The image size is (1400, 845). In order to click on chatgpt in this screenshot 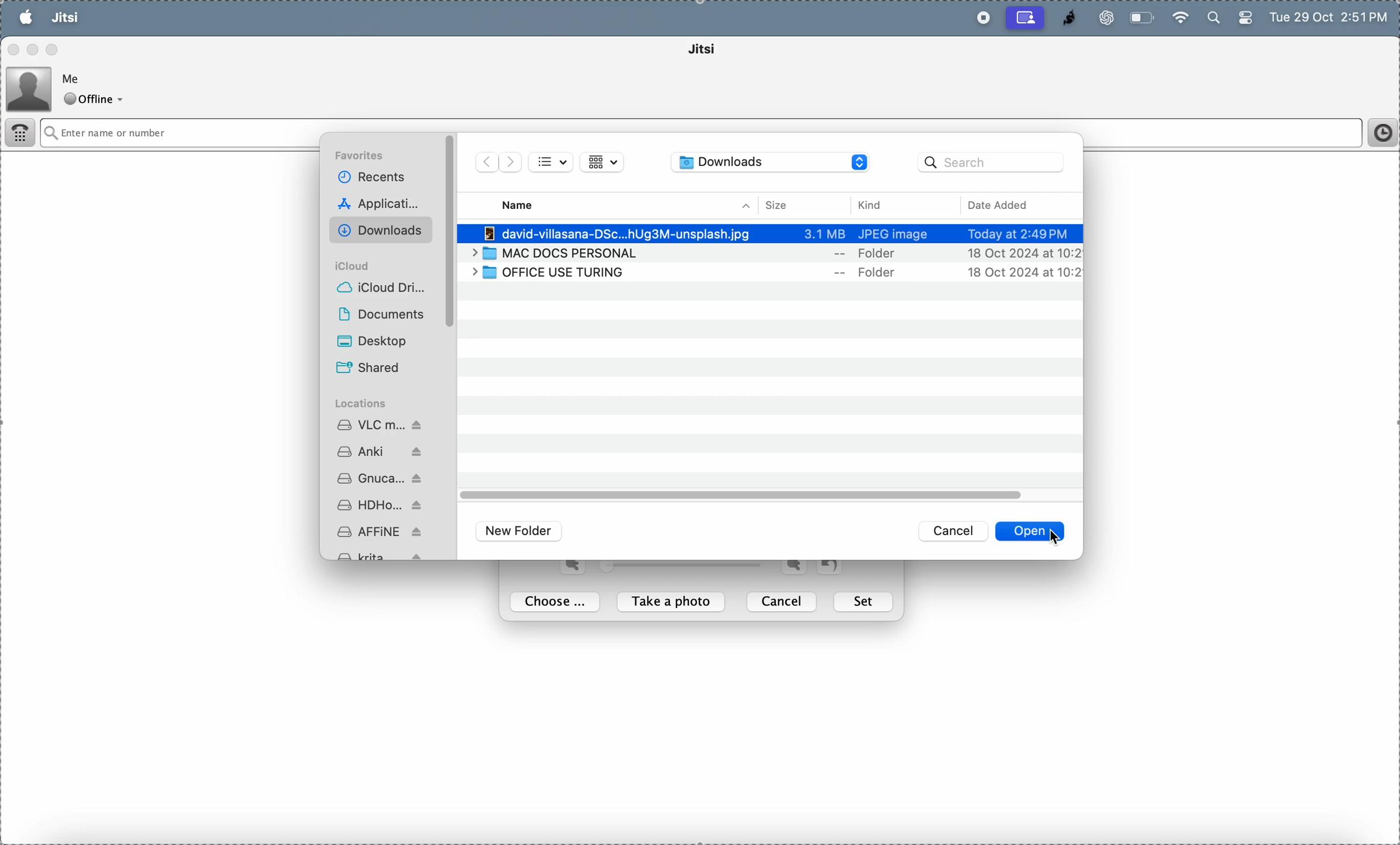, I will do `click(1102, 18)`.